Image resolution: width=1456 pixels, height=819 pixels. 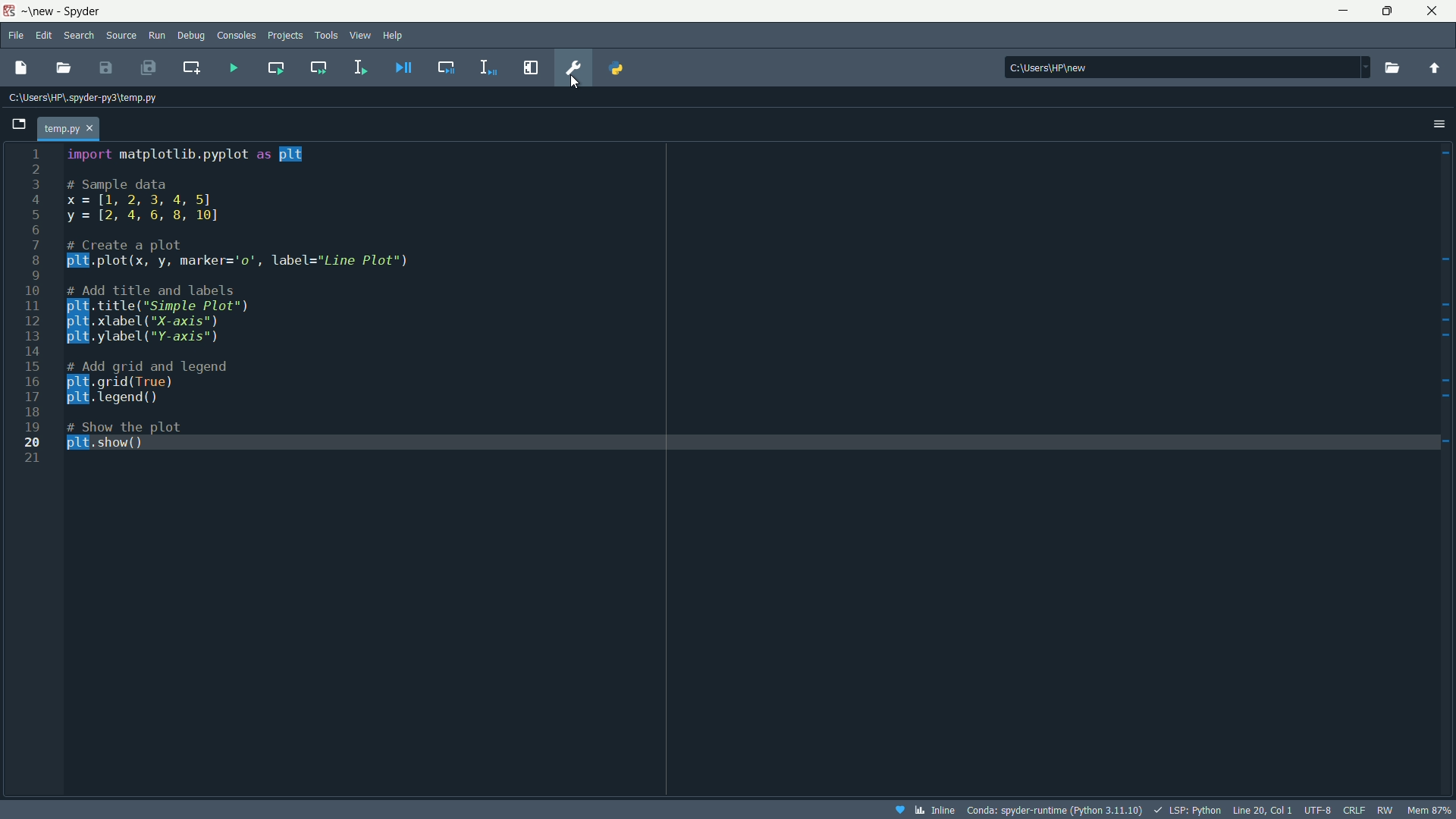 I want to click on maximize, so click(x=1387, y=11).